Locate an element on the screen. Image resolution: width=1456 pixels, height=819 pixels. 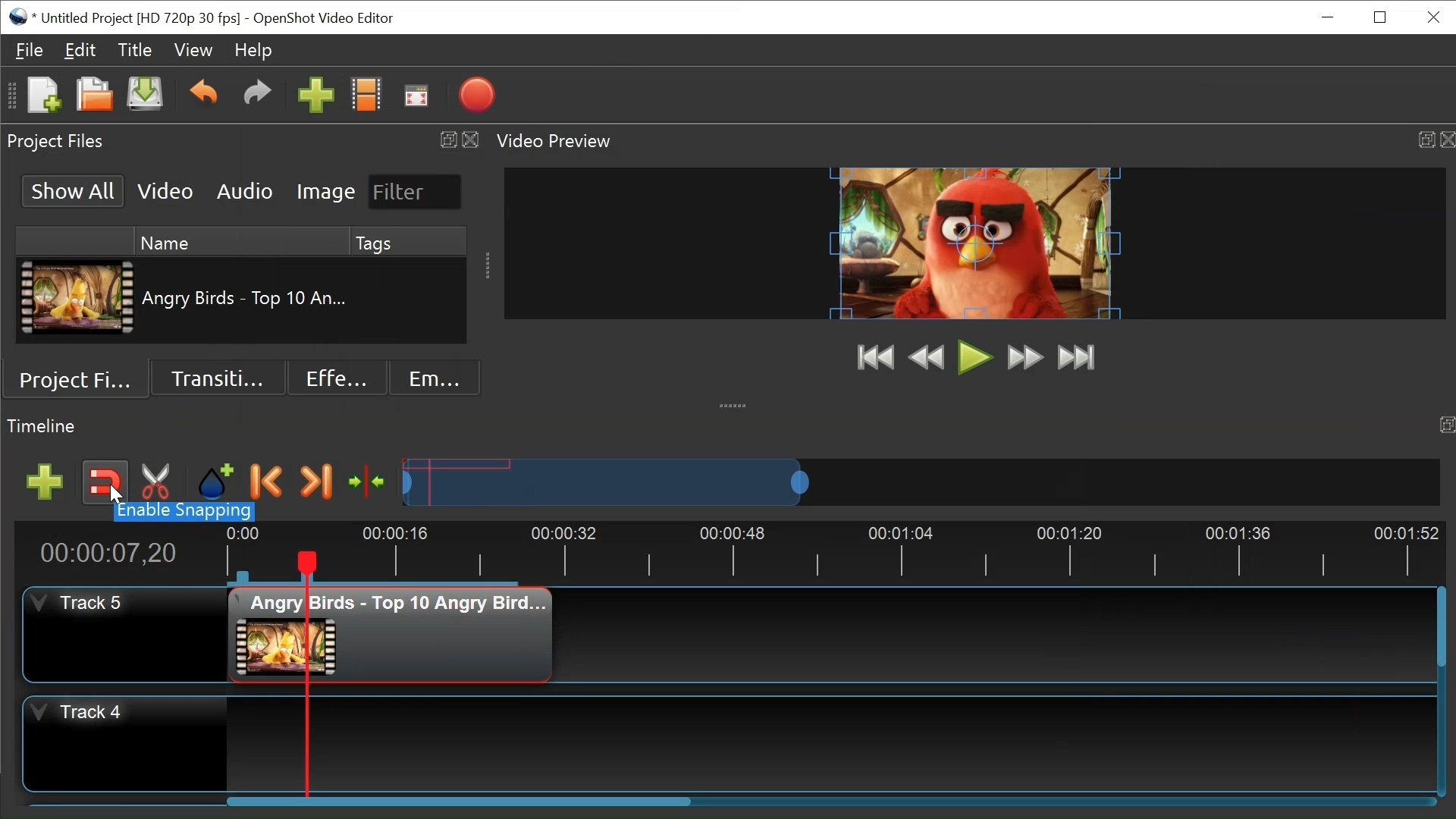
Jump to Start is located at coordinates (874, 357).